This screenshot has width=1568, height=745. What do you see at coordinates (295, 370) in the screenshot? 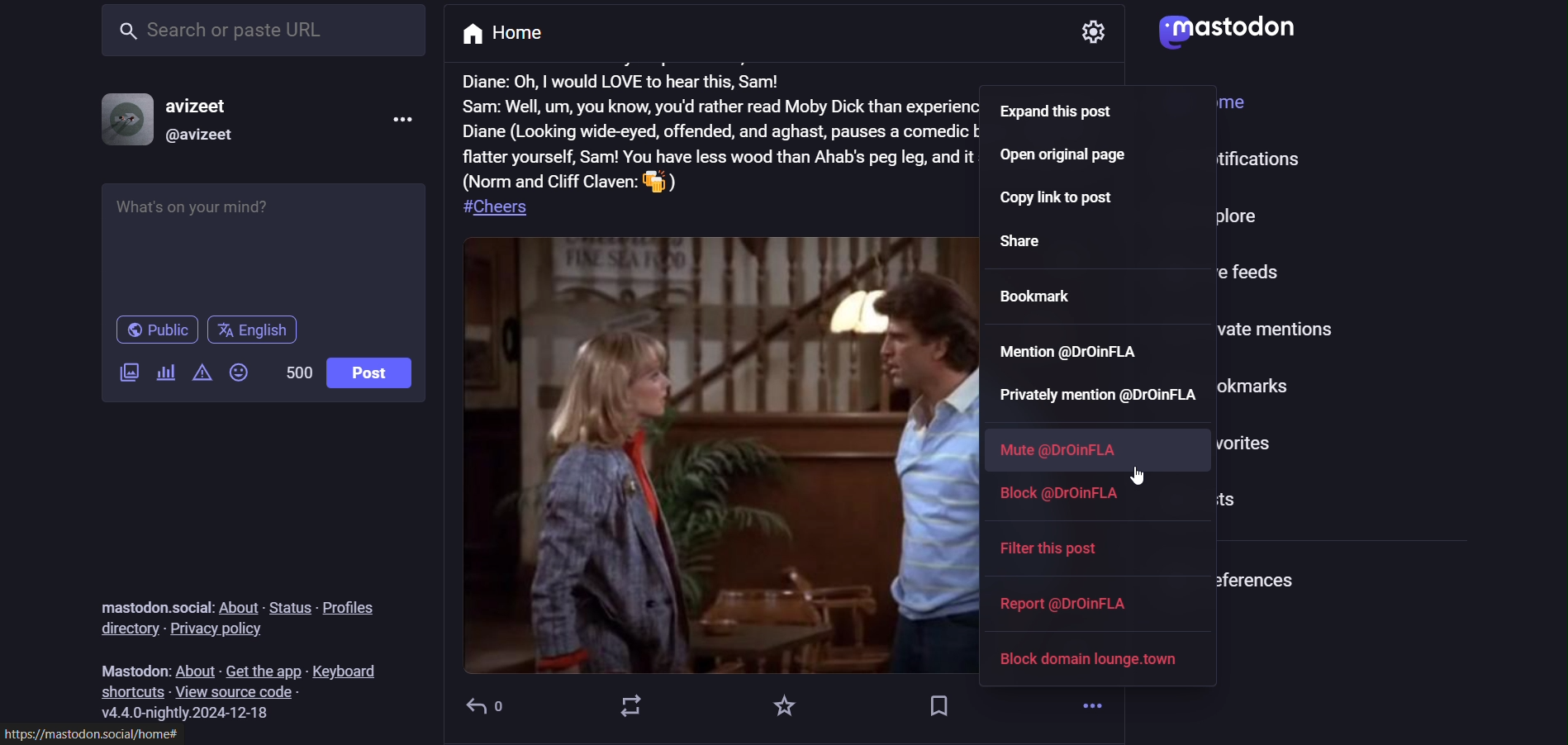
I see `word limit` at bounding box center [295, 370].